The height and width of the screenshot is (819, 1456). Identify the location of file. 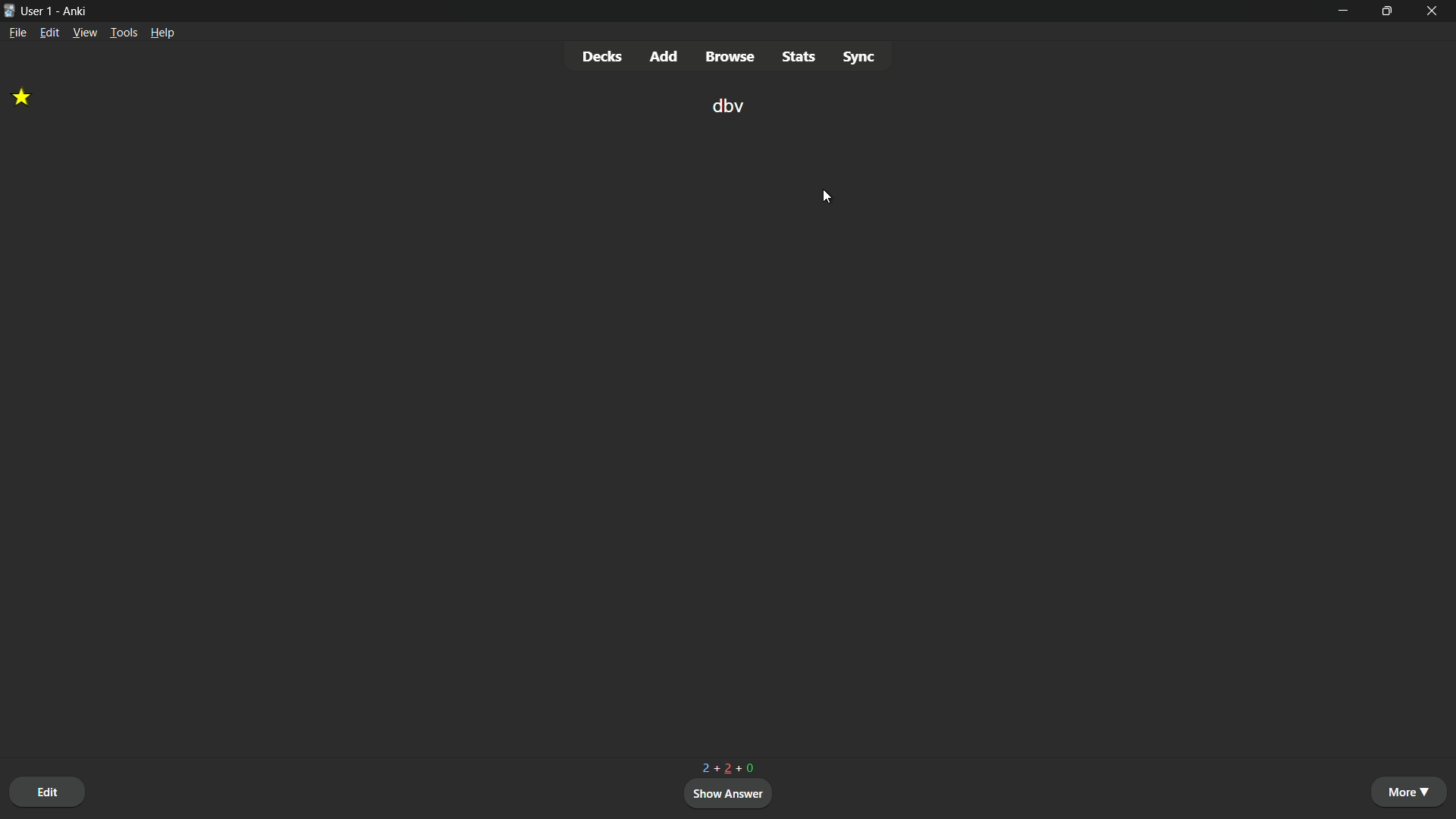
(17, 33).